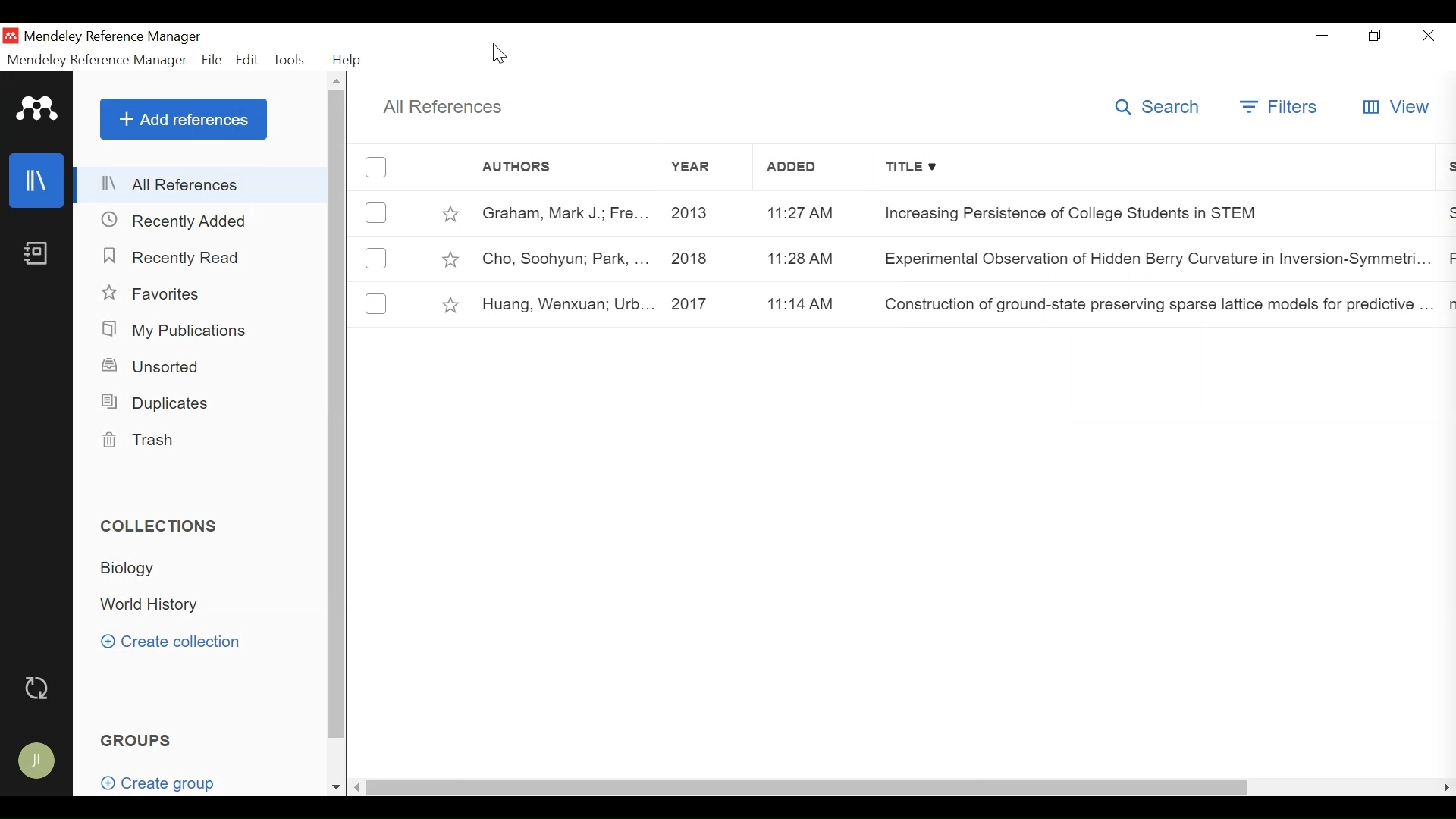 The width and height of the screenshot is (1456, 819). What do you see at coordinates (142, 441) in the screenshot?
I see `Trash` at bounding box center [142, 441].